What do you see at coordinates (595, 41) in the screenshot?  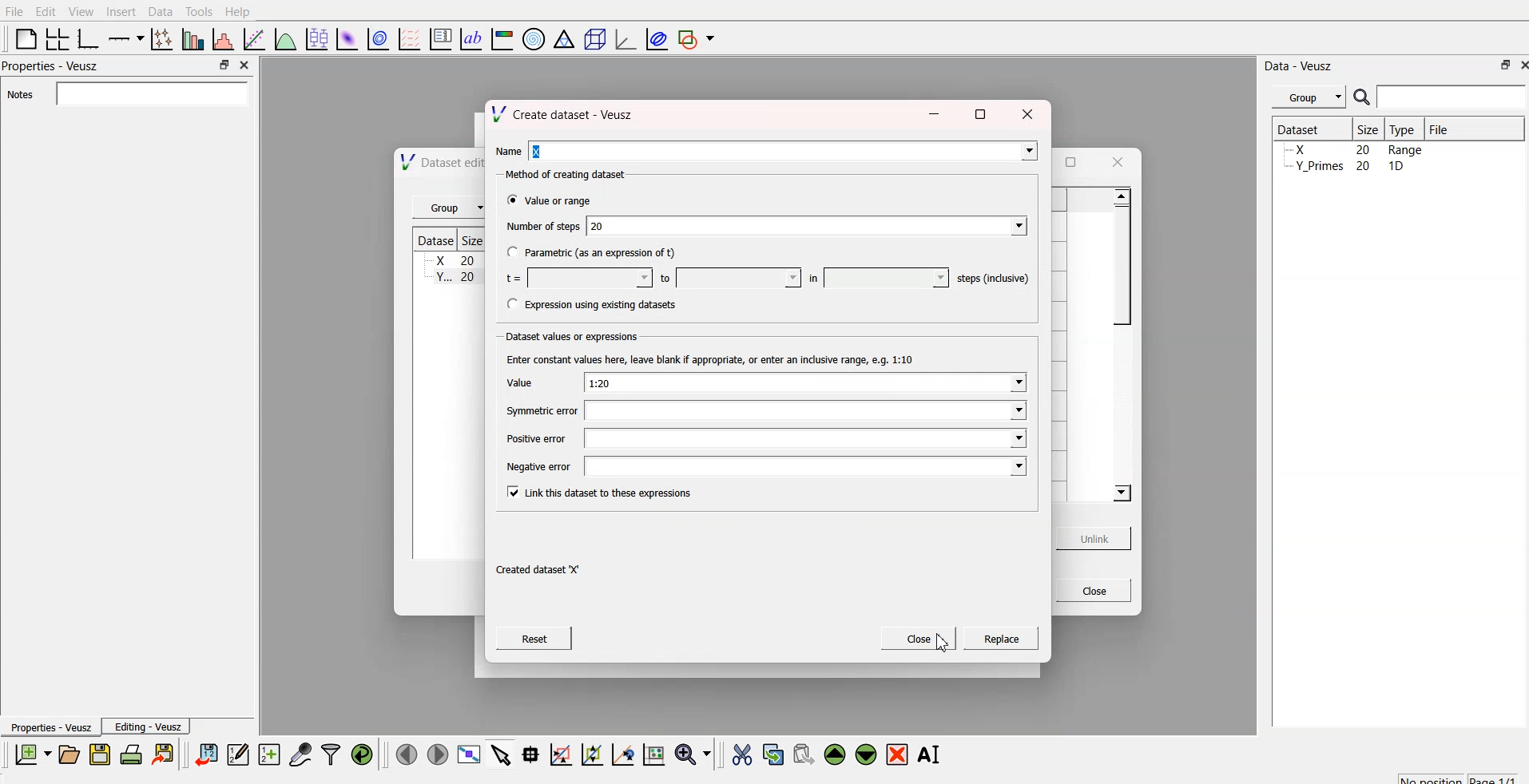 I see `3D scene` at bounding box center [595, 41].